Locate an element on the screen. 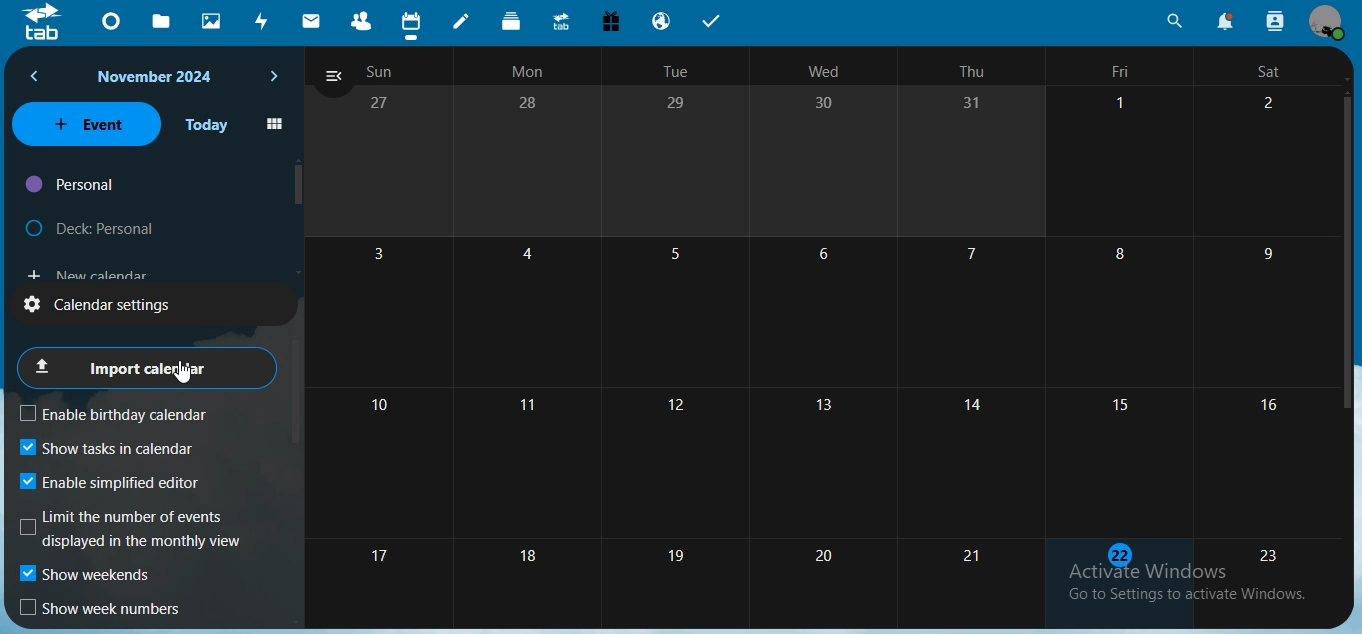 This screenshot has width=1362, height=634. email hosting is located at coordinates (663, 20).